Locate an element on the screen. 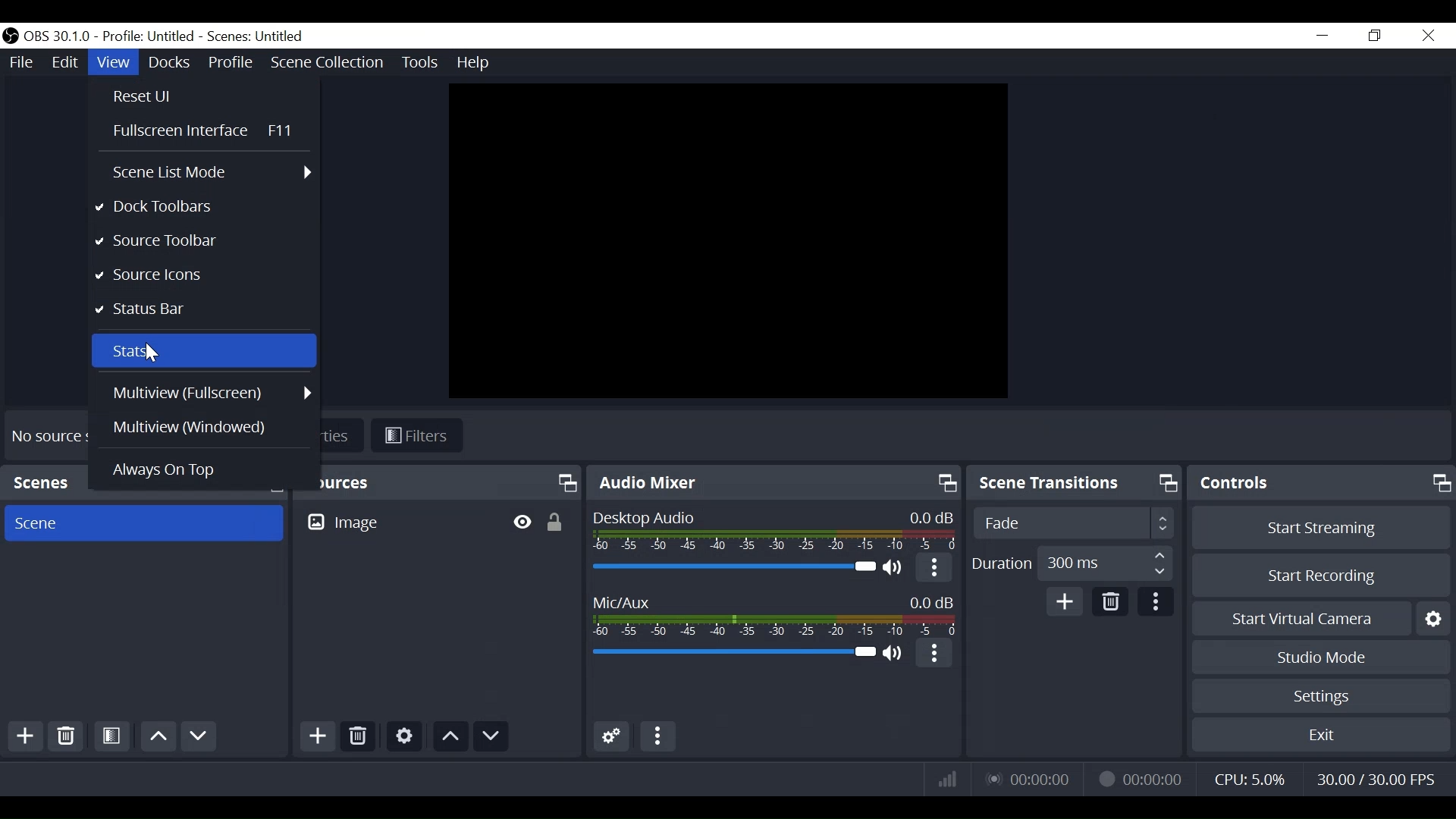 This screenshot has width=1456, height=819. more Options is located at coordinates (932, 570).